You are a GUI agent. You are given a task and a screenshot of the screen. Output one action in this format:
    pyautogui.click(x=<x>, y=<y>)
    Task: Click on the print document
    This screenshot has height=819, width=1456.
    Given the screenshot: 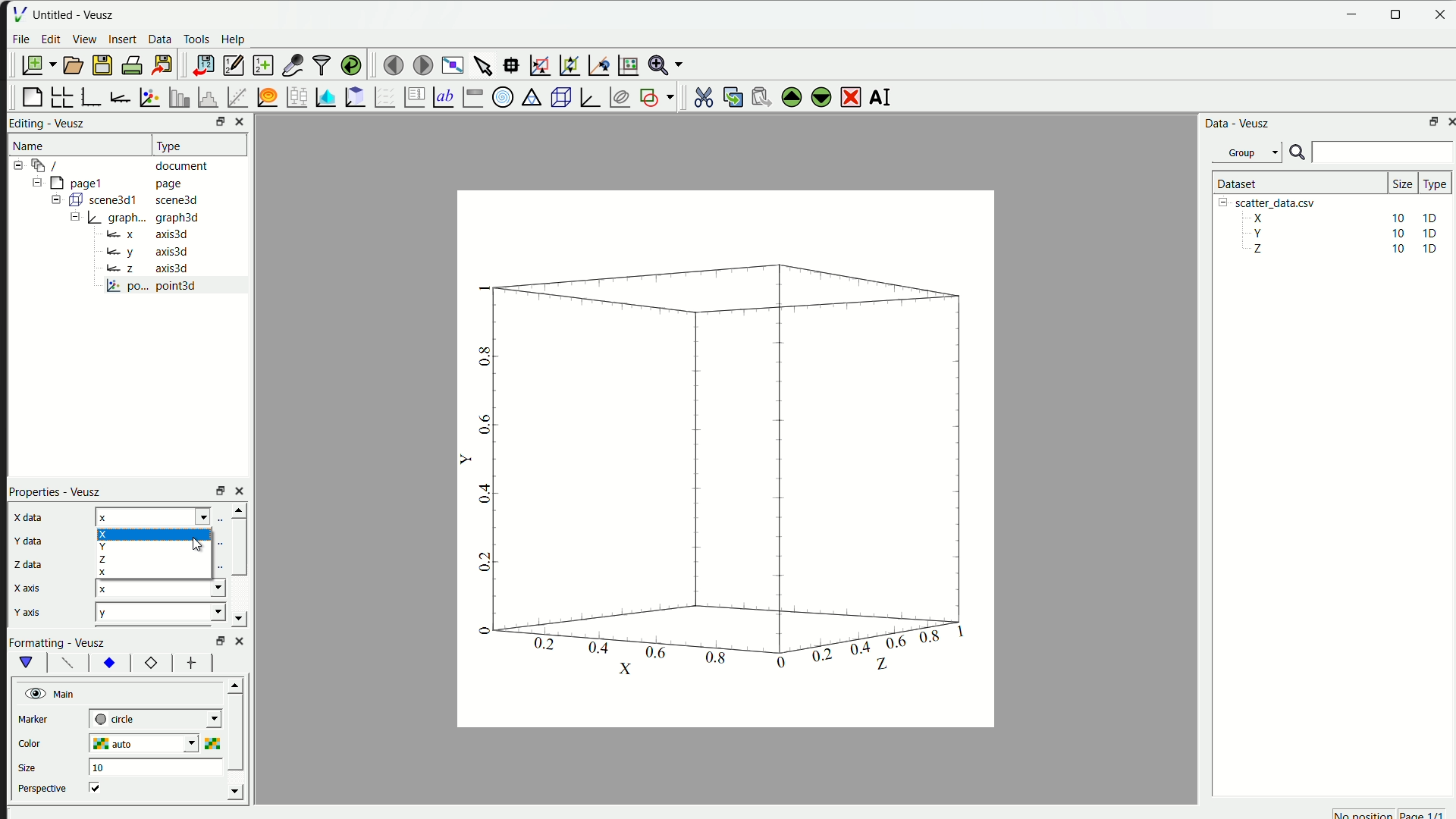 What is the action you would take?
    pyautogui.click(x=132, y=65)
    